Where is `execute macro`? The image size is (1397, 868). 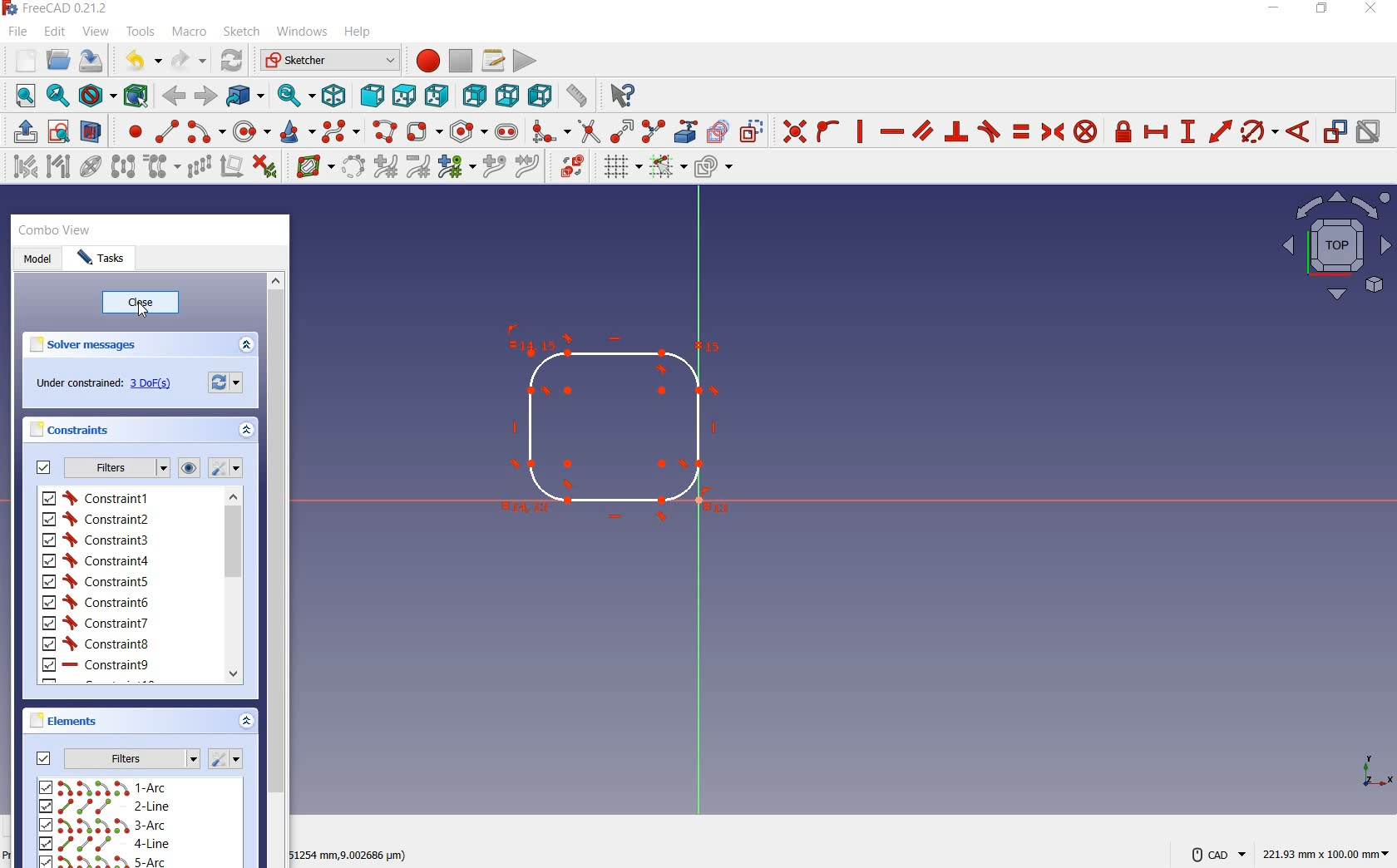 execute macro is located at coordinates (526, 61).